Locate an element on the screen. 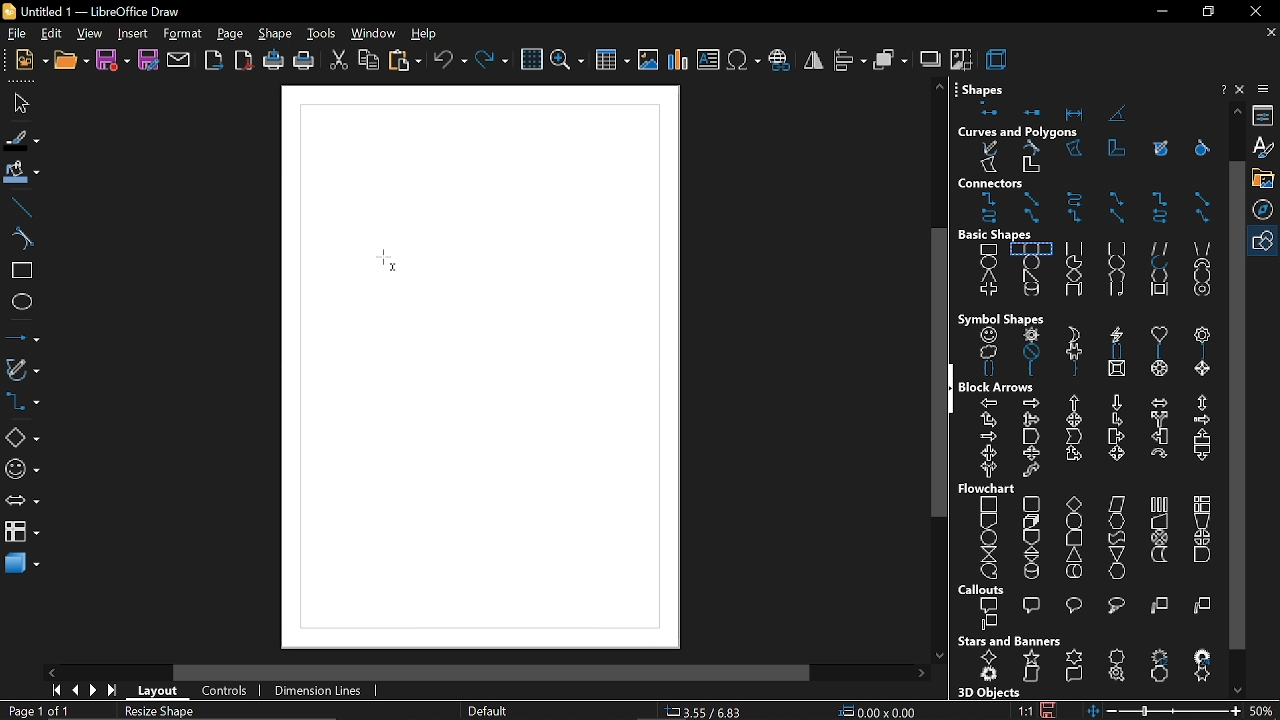 The image size is (1280, 720). callouts is located at coordinates (985, 590).